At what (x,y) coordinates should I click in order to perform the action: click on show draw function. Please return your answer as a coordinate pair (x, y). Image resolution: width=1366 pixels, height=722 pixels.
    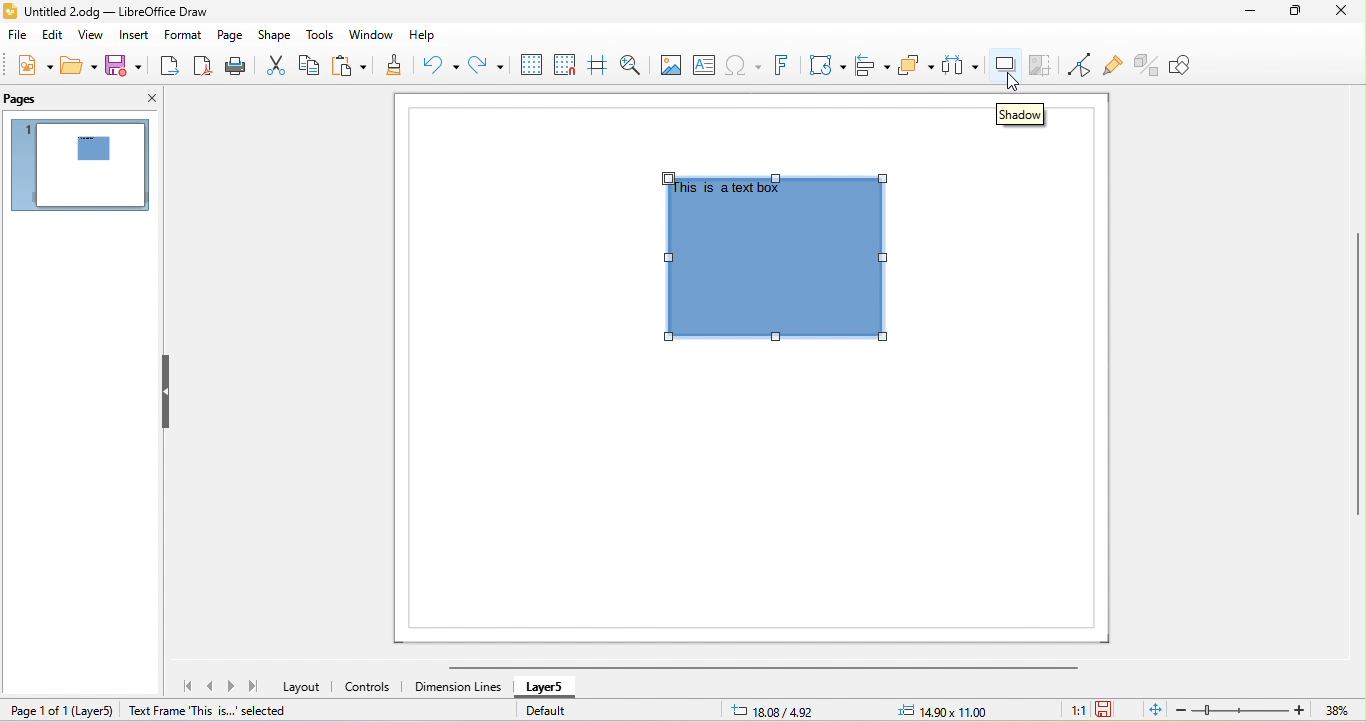
    Looking at the image, I should click on (1191, 66).